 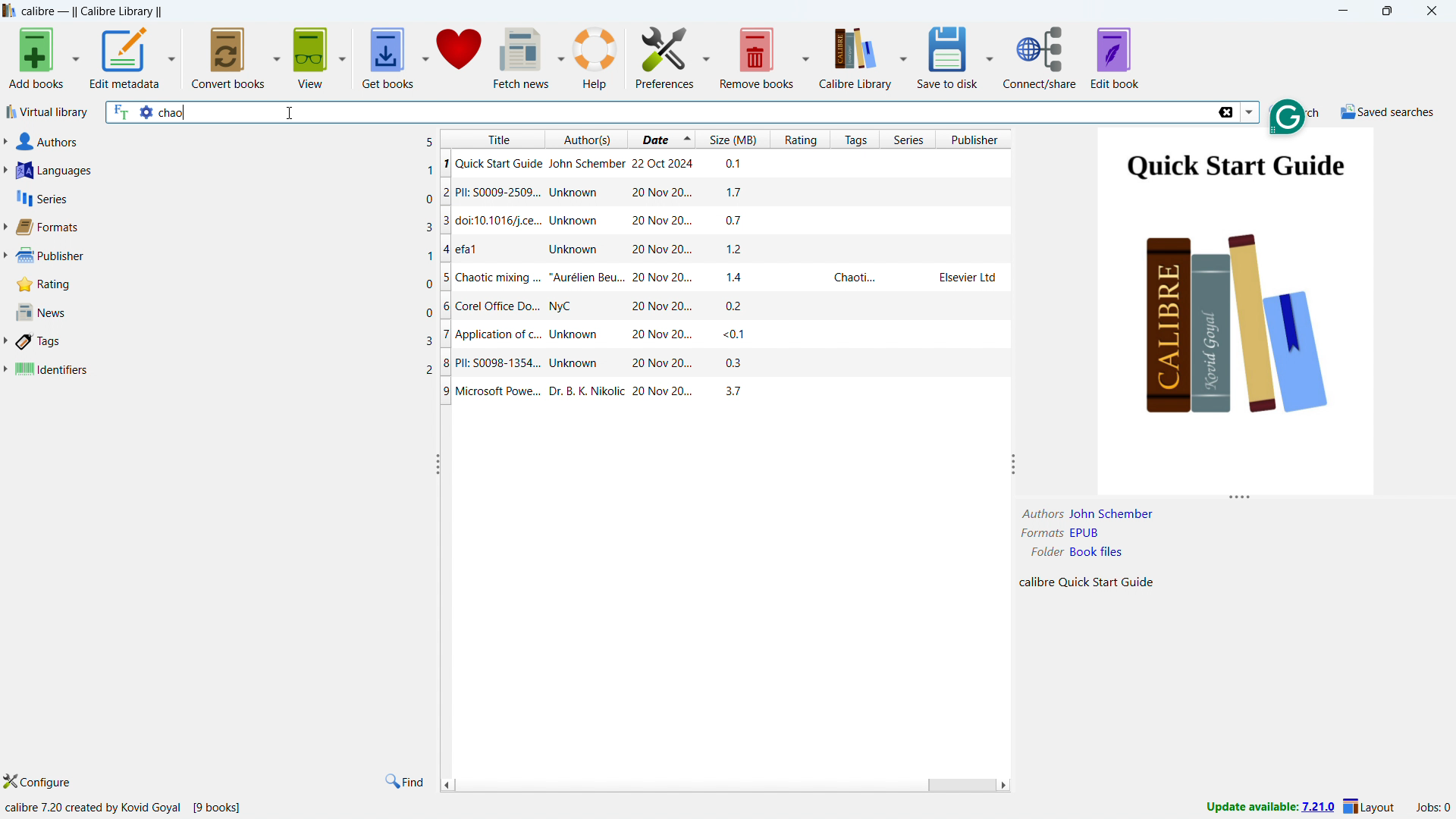 I want to click on series, so click(x=225, y=197).